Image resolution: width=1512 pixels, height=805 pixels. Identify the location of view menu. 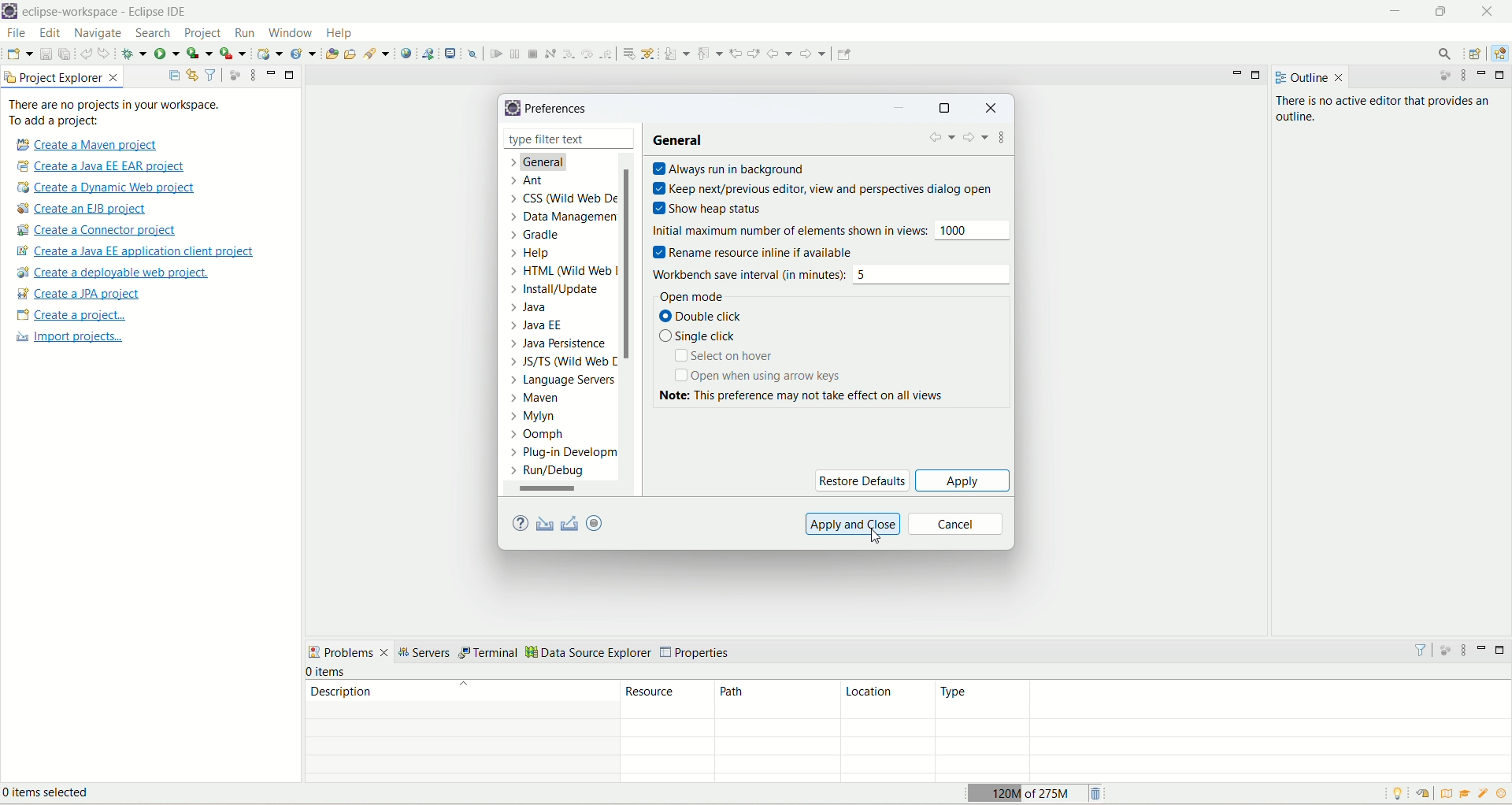
(1463, 650).